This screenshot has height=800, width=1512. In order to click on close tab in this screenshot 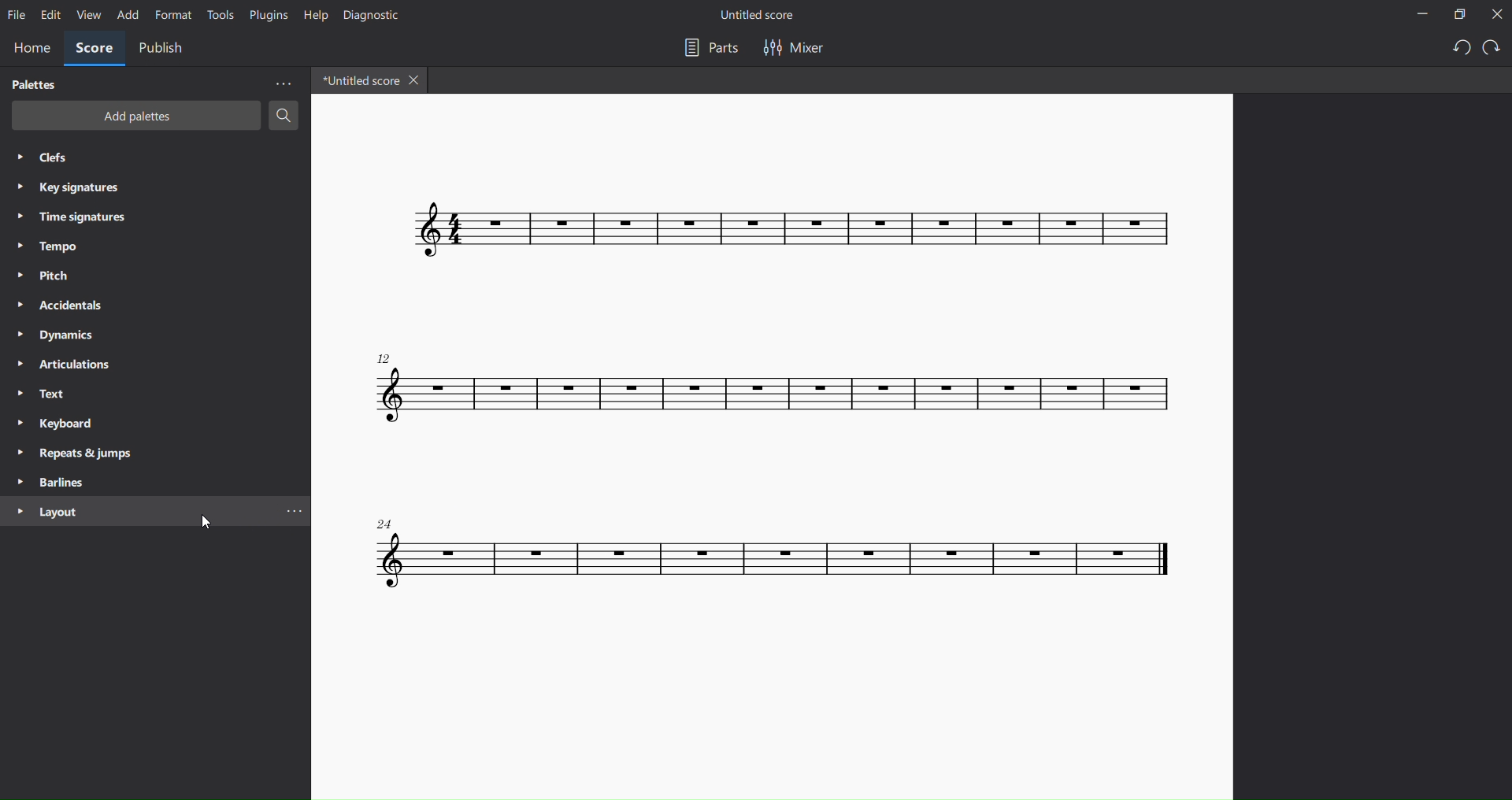, I will do `click(417, 82)`.